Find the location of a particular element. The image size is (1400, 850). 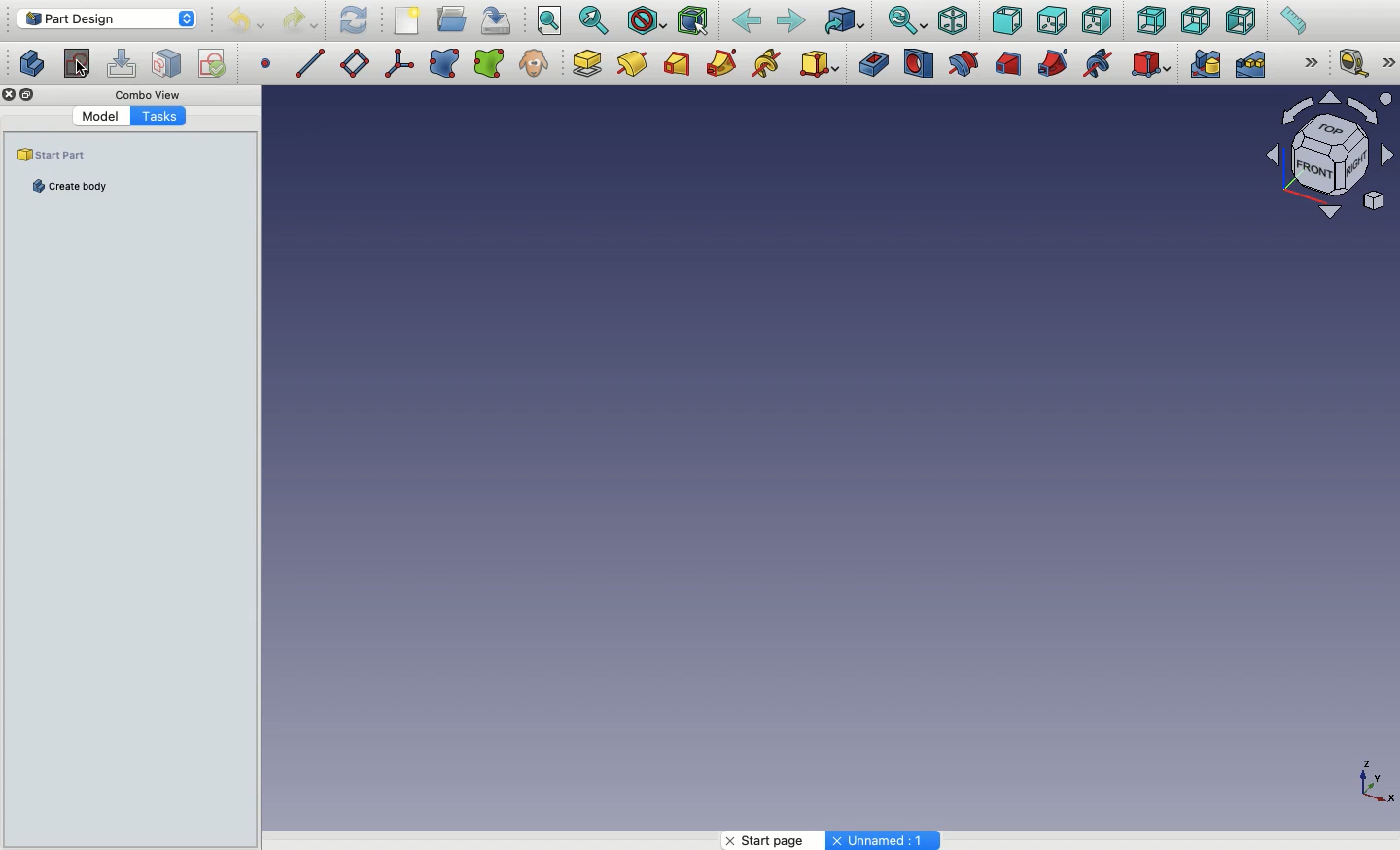

Datum point is located at coordinates (266, 61).